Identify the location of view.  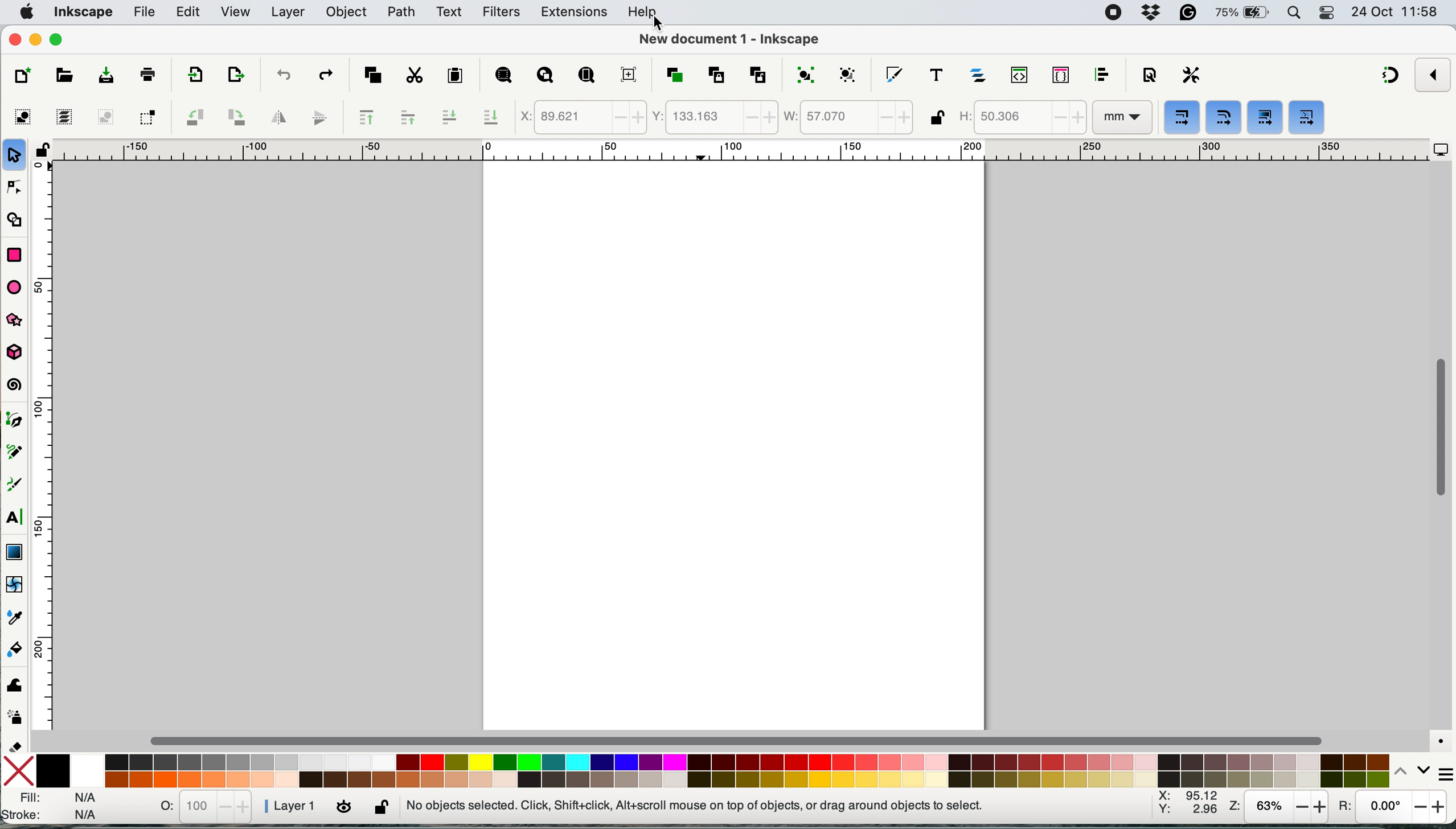
(233, 13).